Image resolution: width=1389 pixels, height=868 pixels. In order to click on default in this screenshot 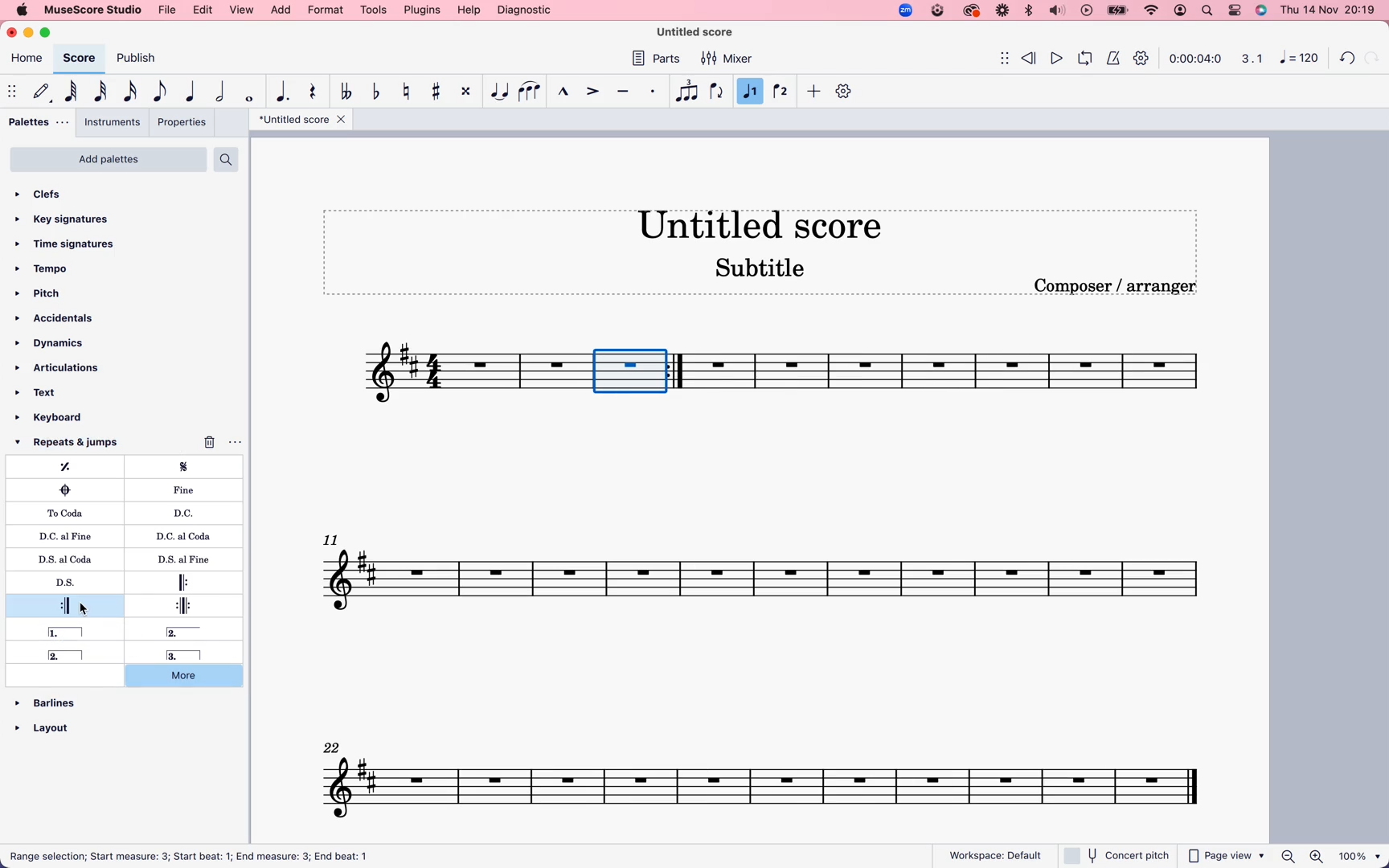, I will do `click(40, 92)`.